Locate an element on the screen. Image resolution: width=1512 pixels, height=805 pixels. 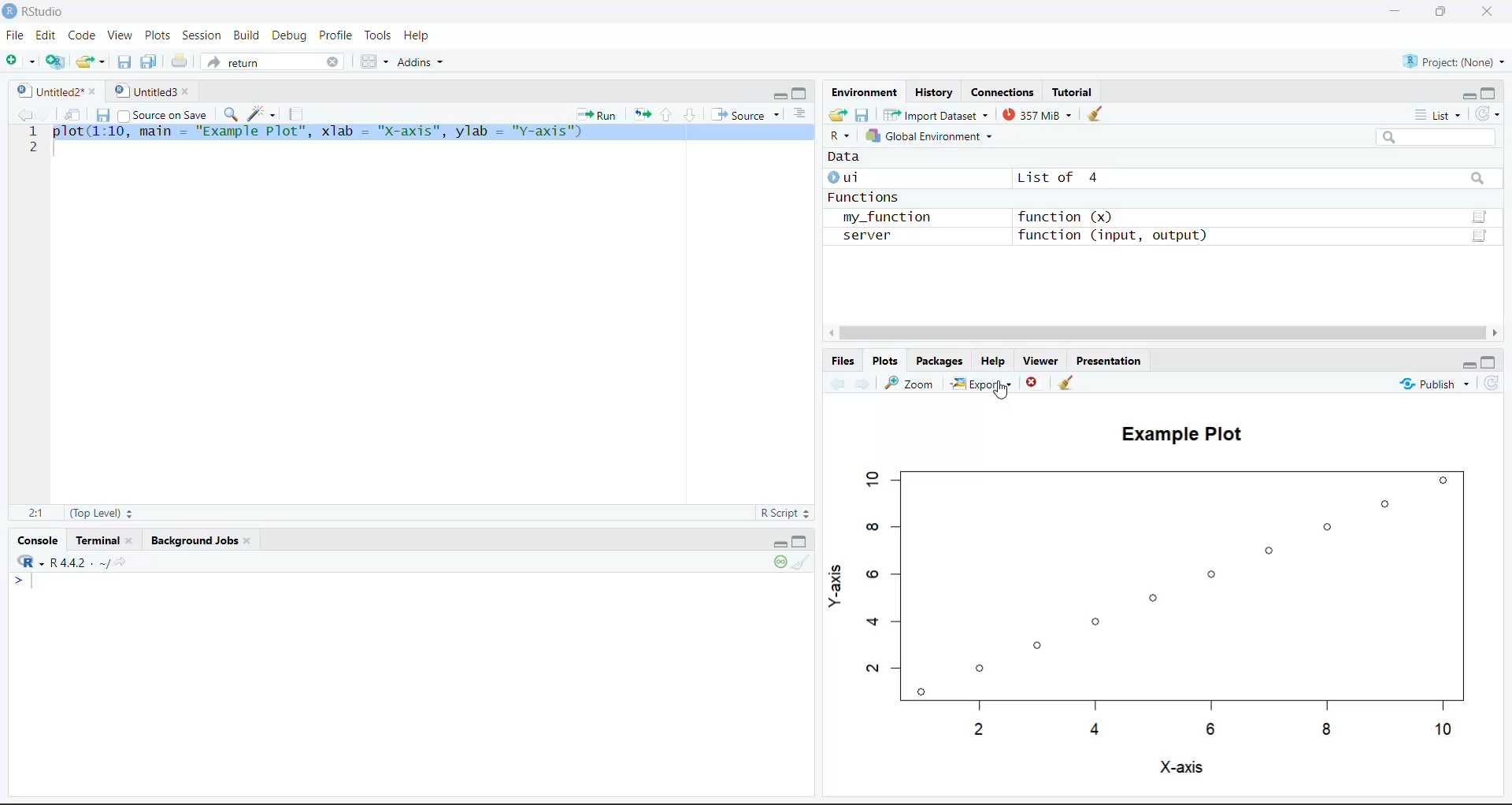
Untitled3* is located at coordinates (151, 88).